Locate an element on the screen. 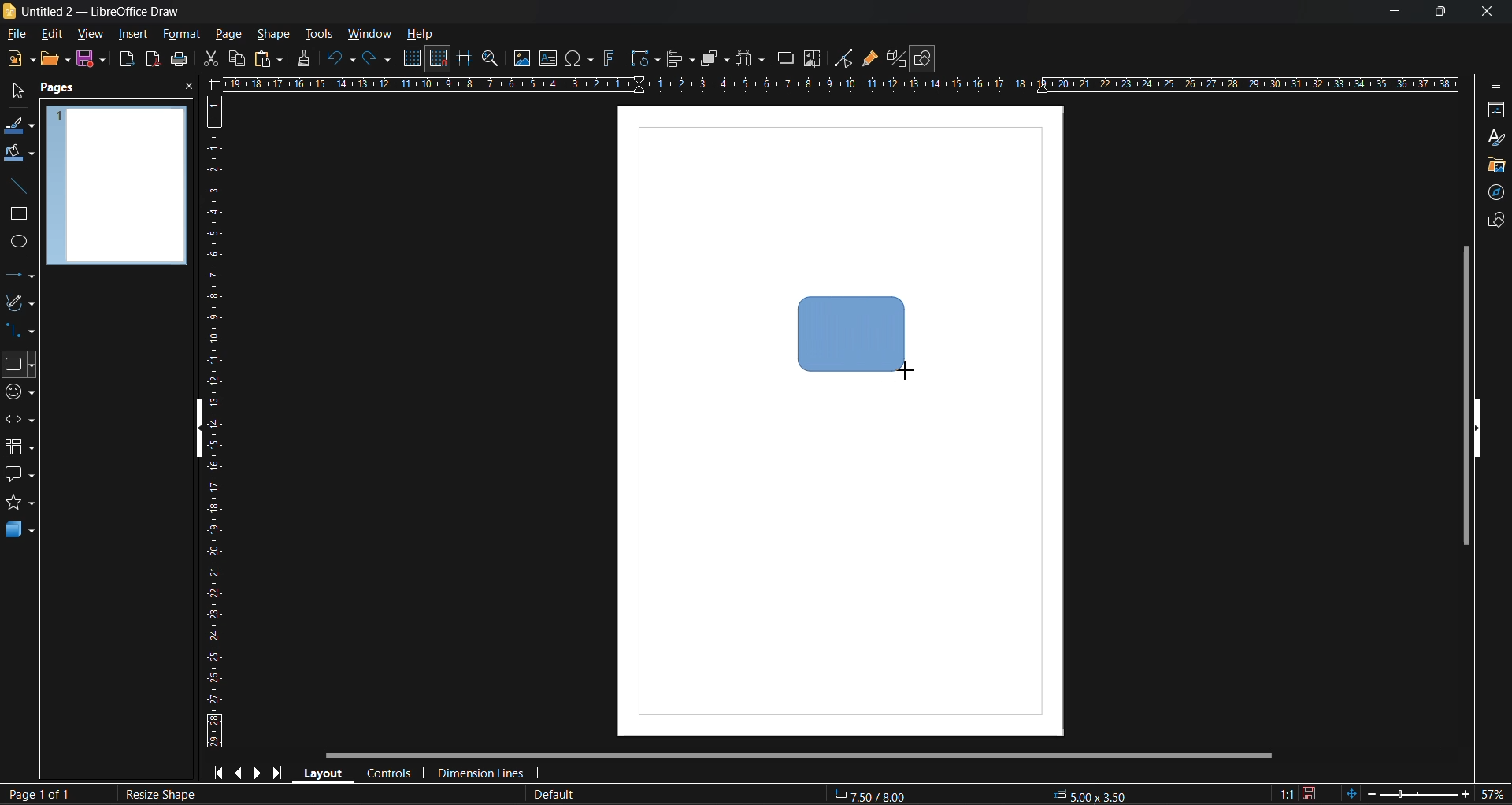 This screenshot has height=805, width=1512. display grid is located at coordinates (414, 59).